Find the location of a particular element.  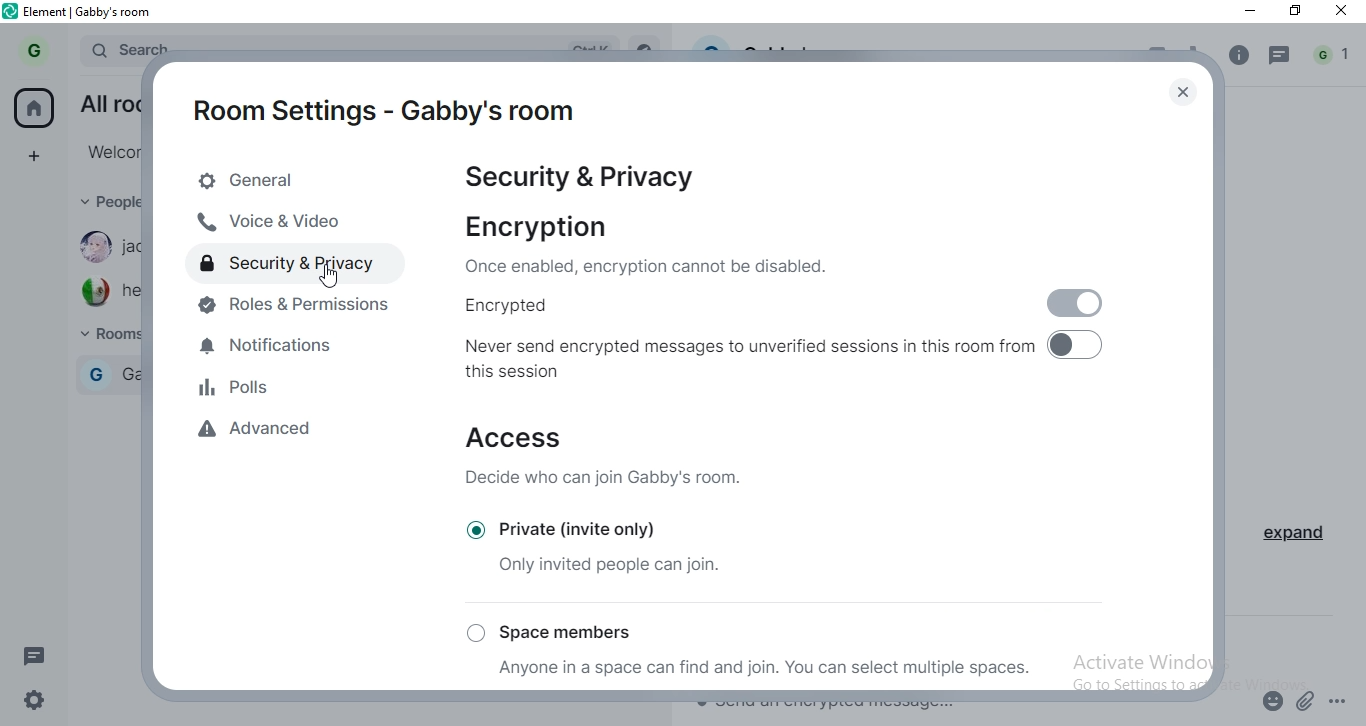

encryption is located at coordinates (650, 244).